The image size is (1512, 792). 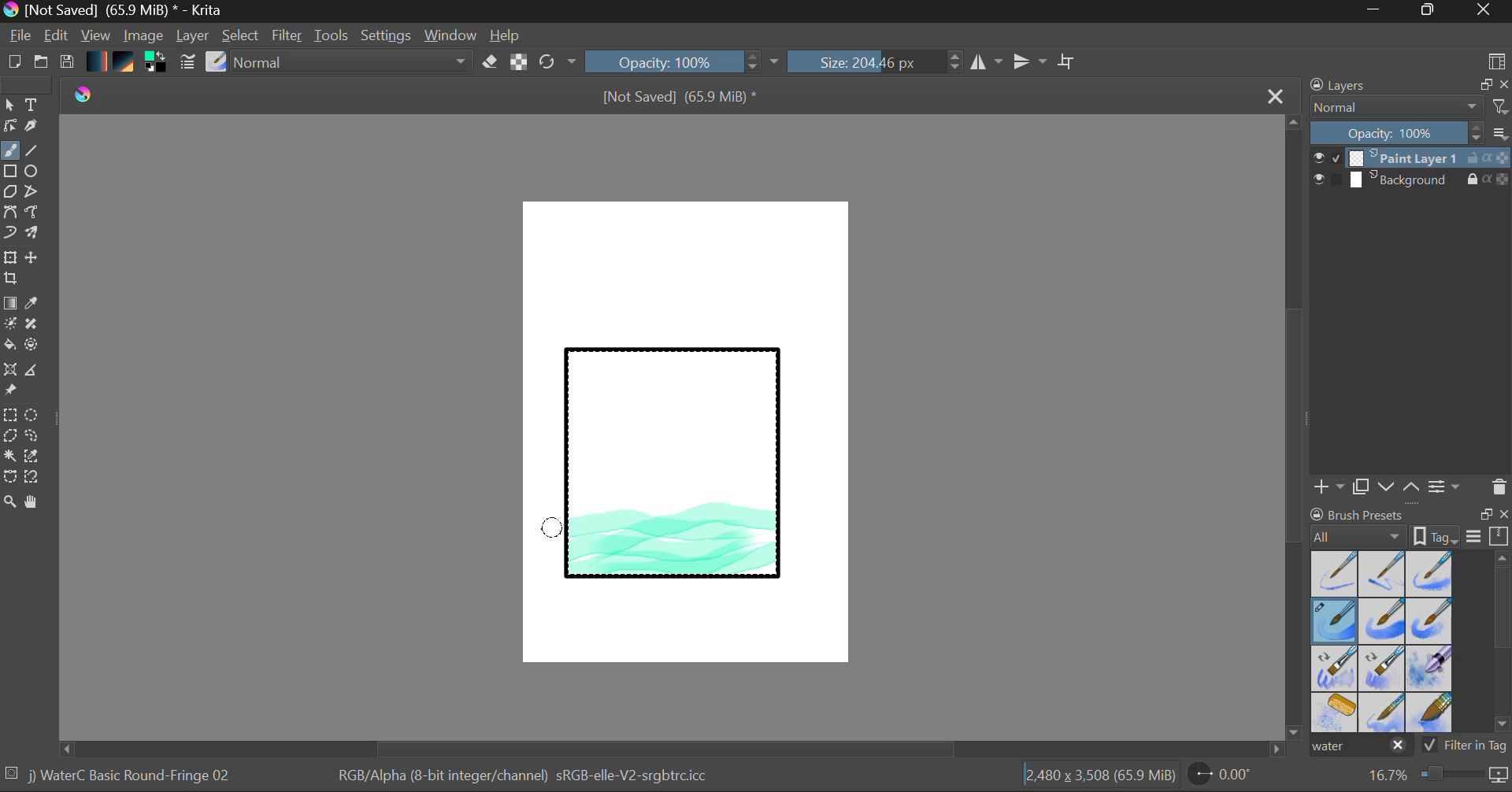 I want to click on Edit, so click(x=57, y=37).